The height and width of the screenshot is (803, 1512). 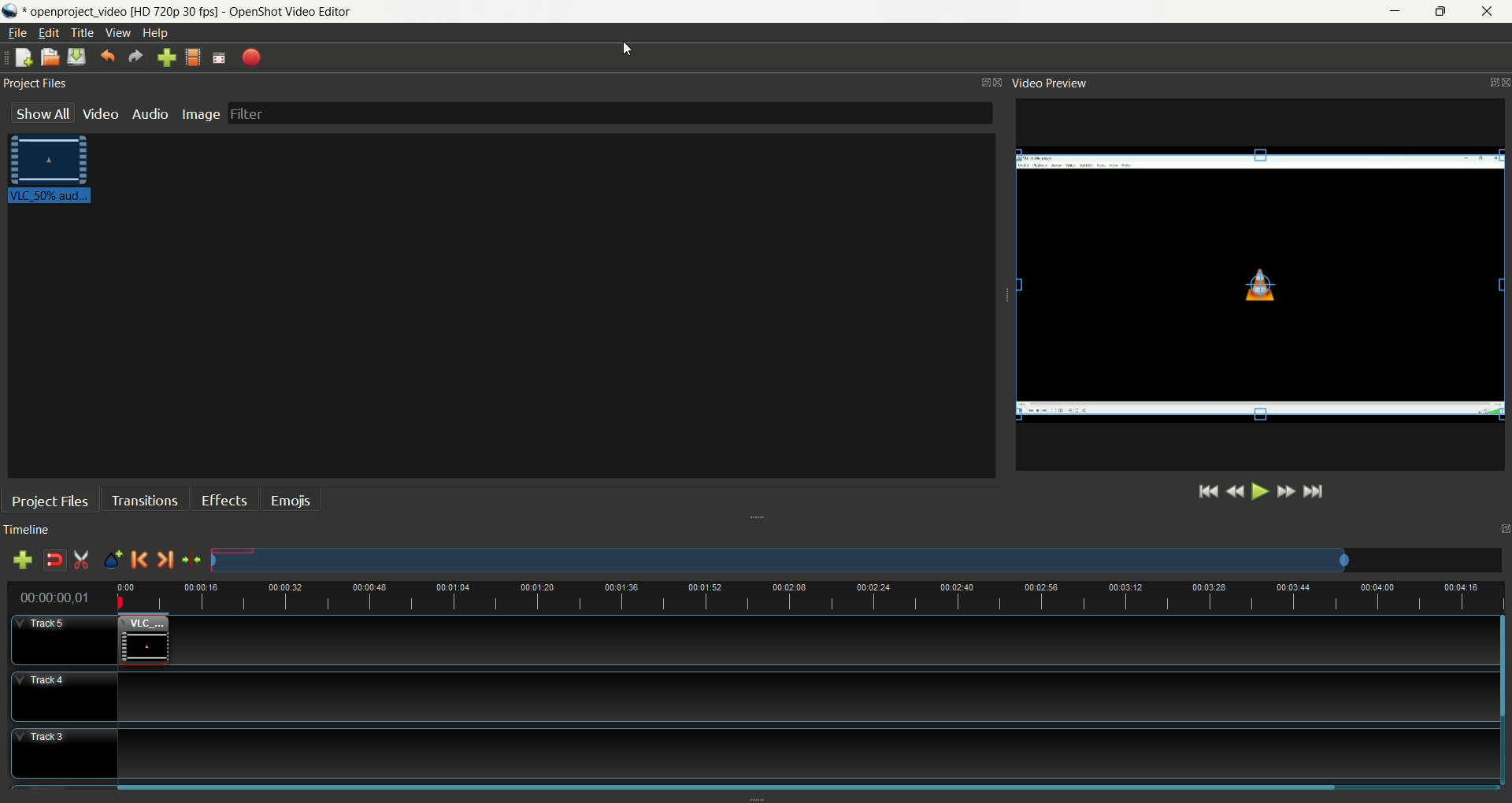 I want to click on video clip, so click(x=57, y=170).